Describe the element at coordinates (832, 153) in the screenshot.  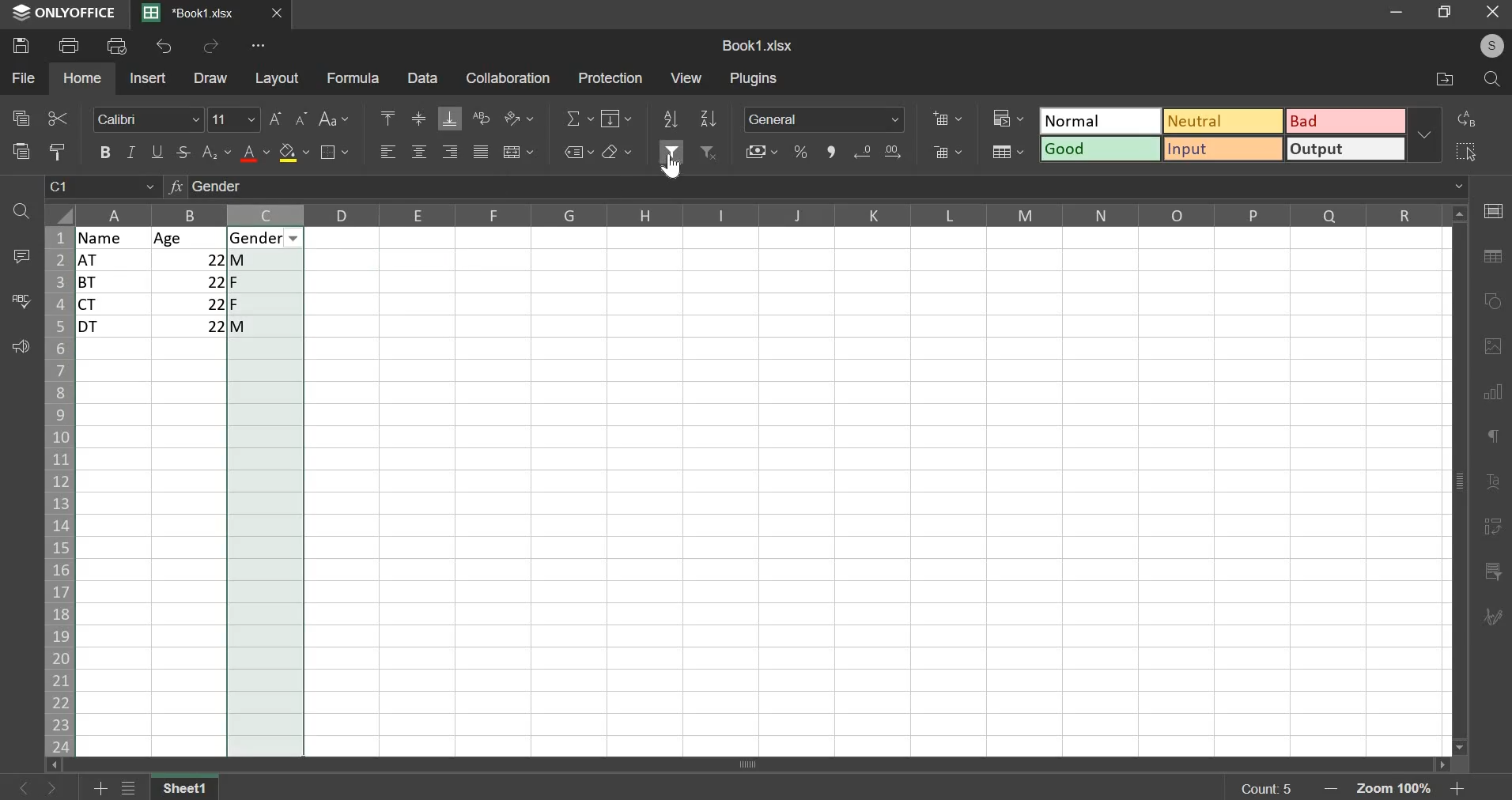
I see `comma style` at that location.